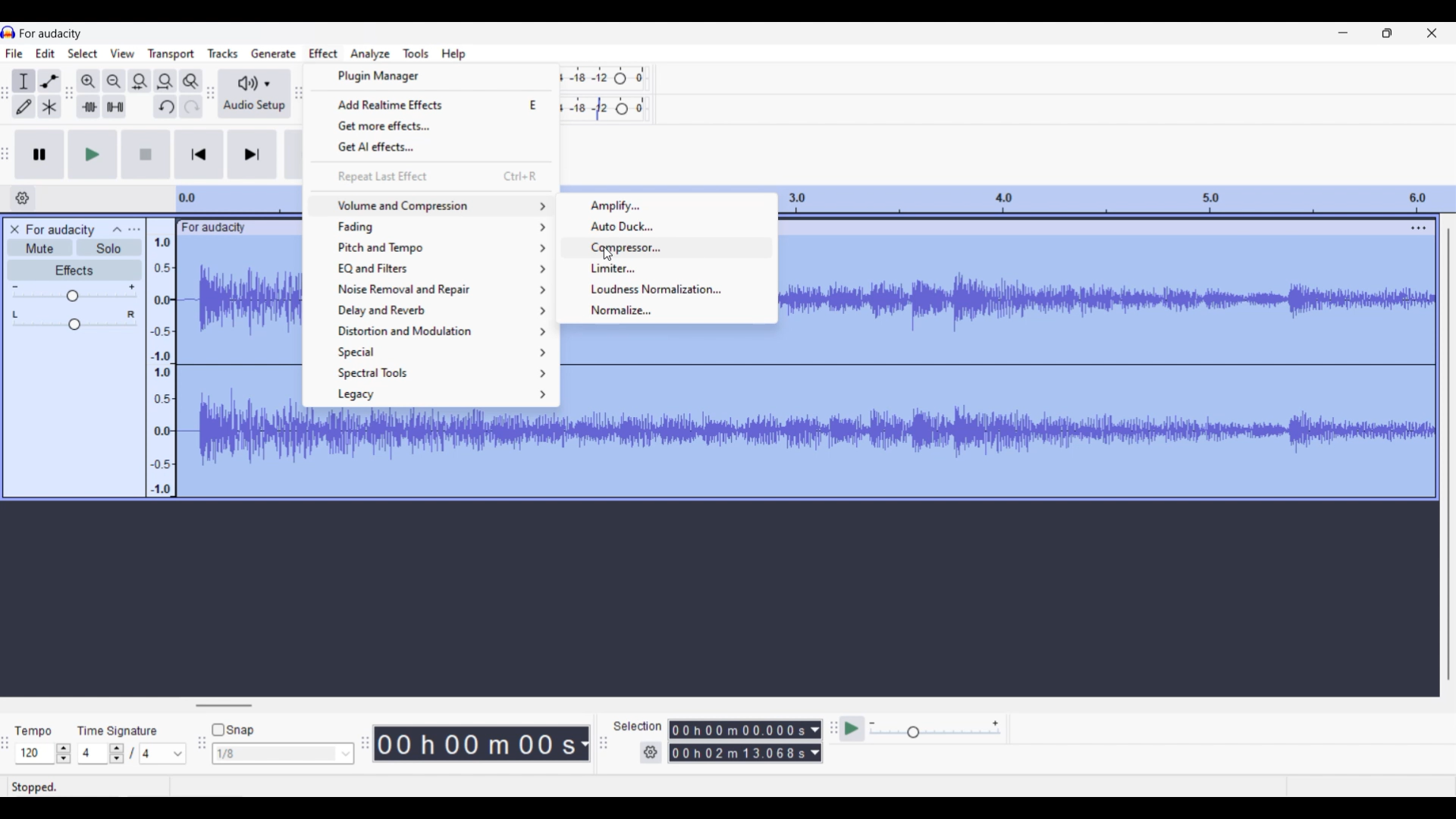  Describe the element at coordinates (431, 176) in the screenshot. I see `Repeat last effect` at that location.